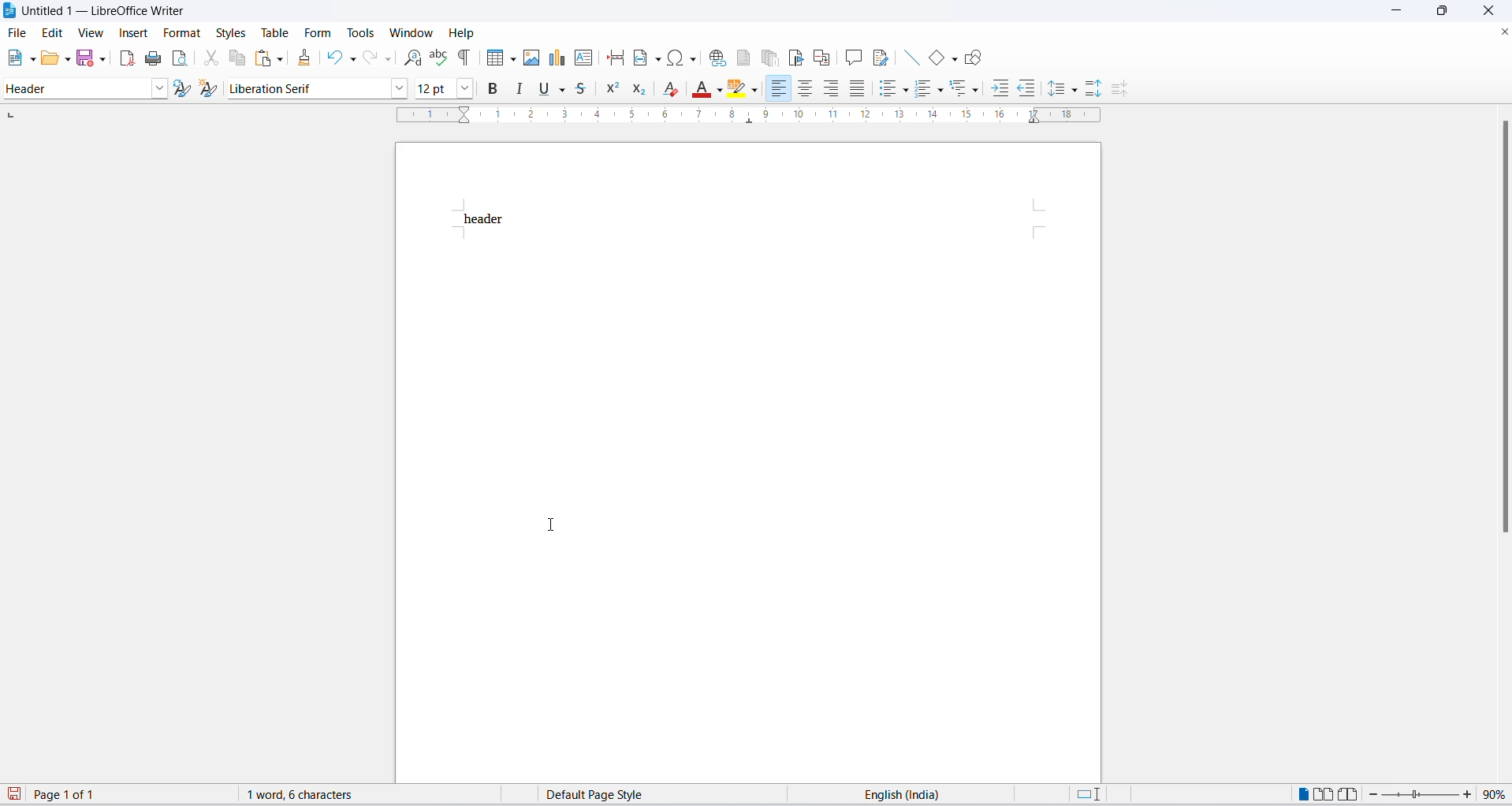 The width and height of the screenshot is (1512, 806). I want to click on scaling, so click(757, 122).